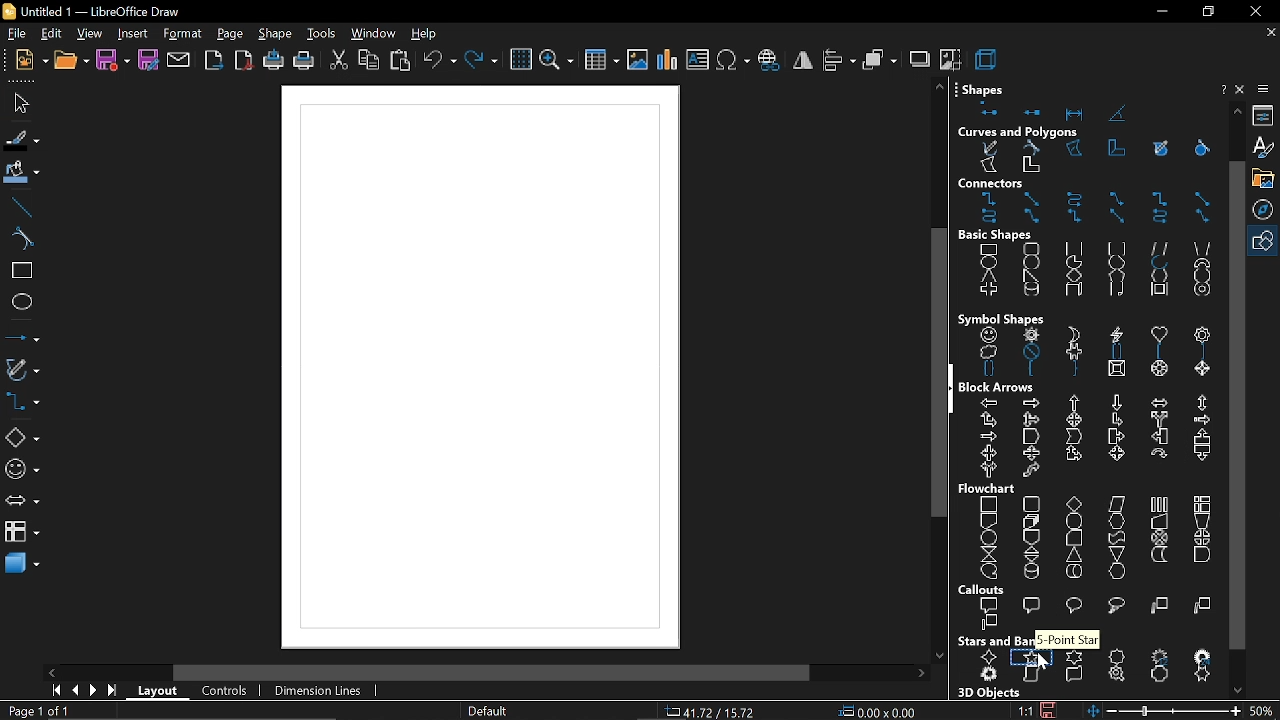  Describe the element at coordinates (939, 372) in the screenshot. I see `vertical scroll bar` at that location.